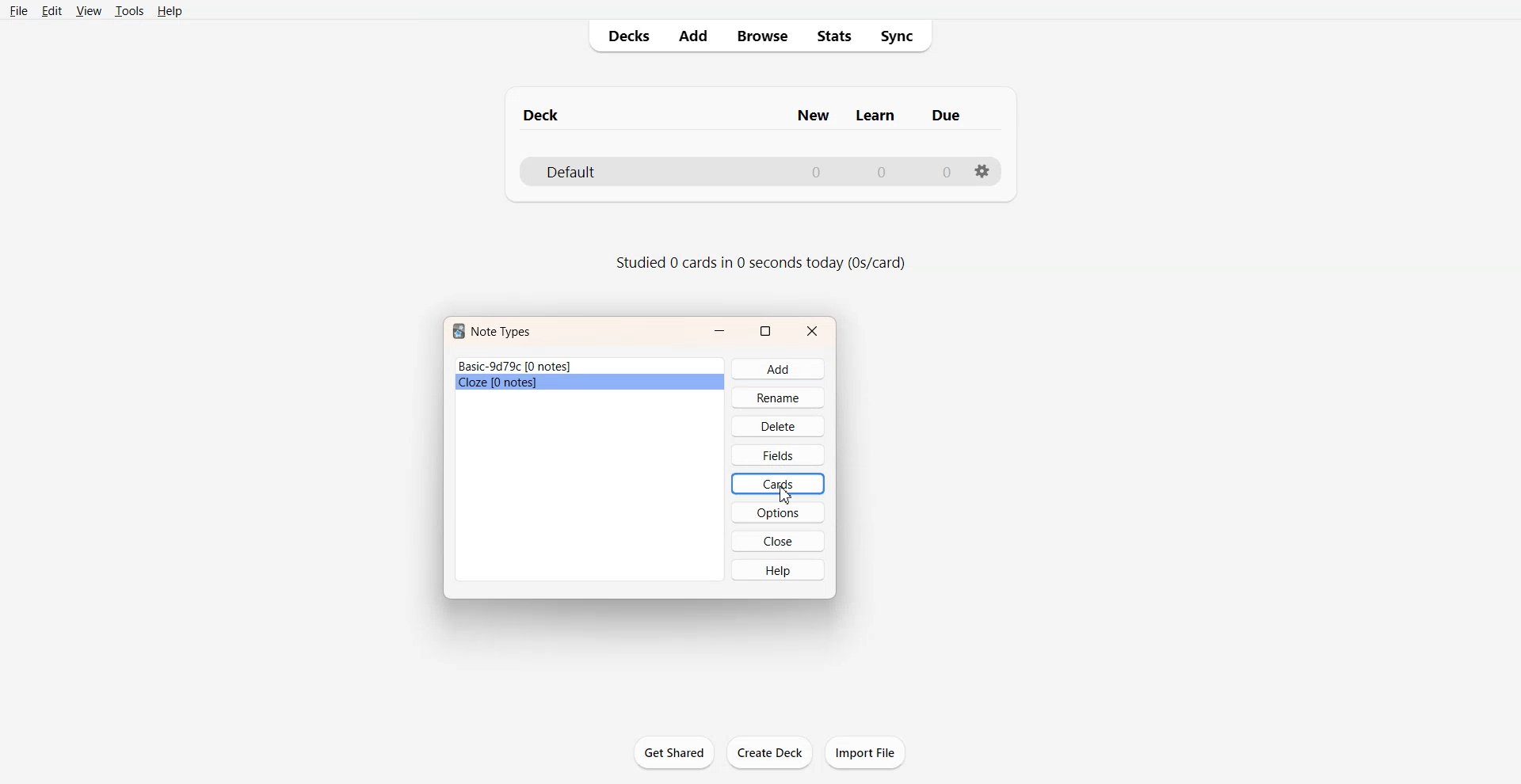 This screenshot has height=784, width=1521. I want to click on Fields, so click(778, 455).